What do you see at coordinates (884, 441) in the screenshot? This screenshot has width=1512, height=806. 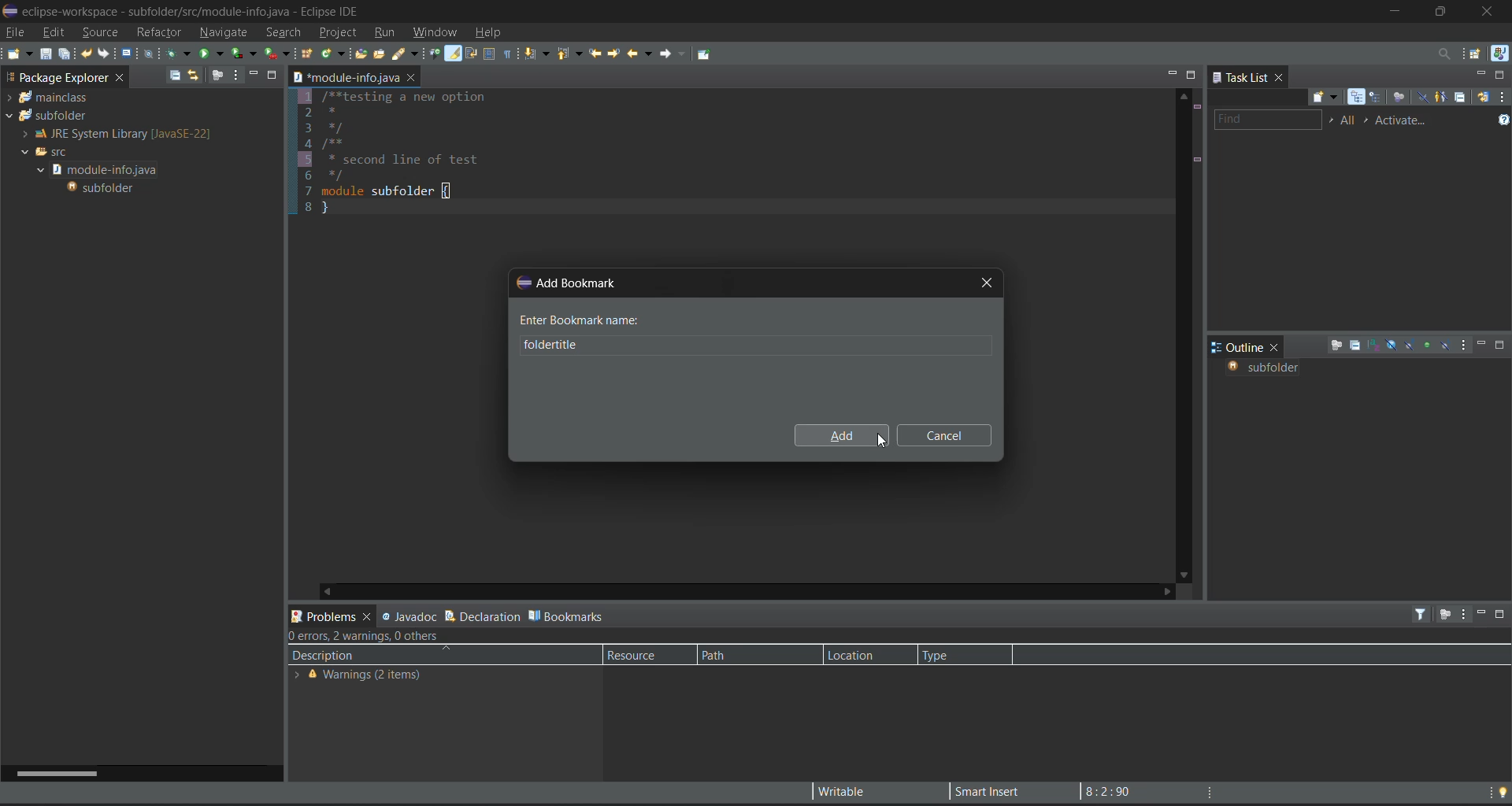 I see `cursor` at bounding box center [884, 441].